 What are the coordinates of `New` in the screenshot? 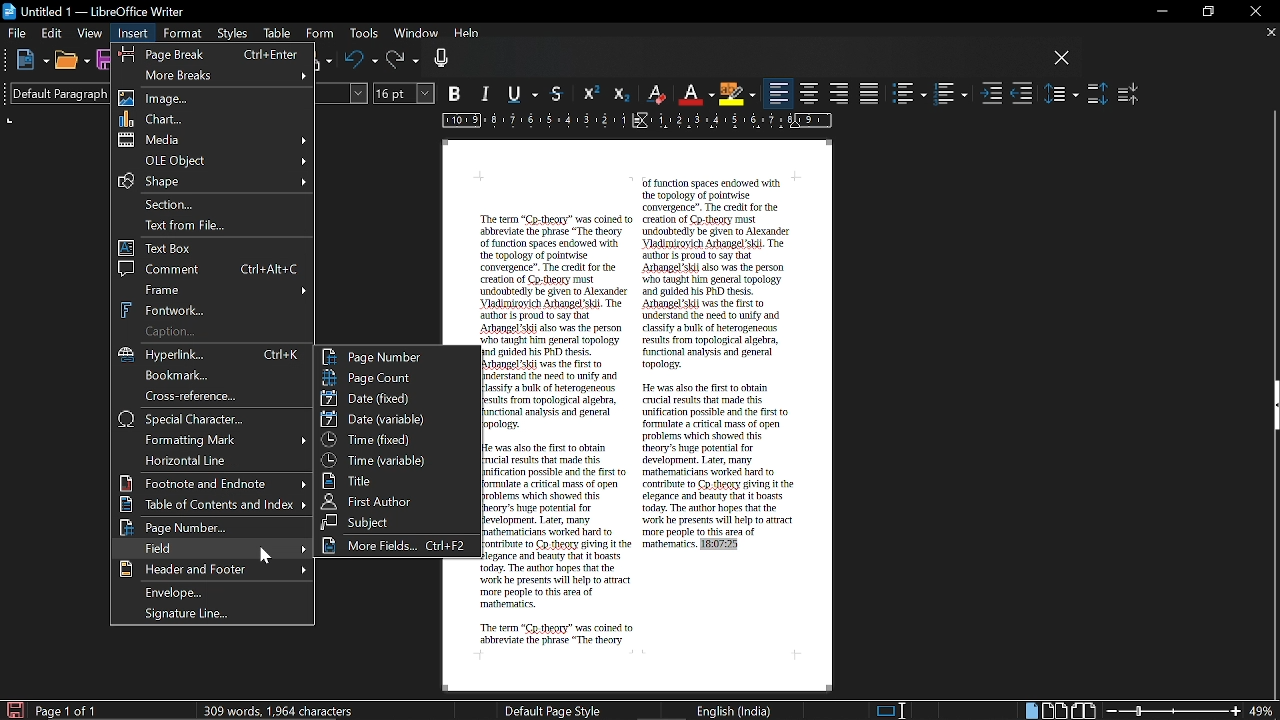 It's located at (32, 61).